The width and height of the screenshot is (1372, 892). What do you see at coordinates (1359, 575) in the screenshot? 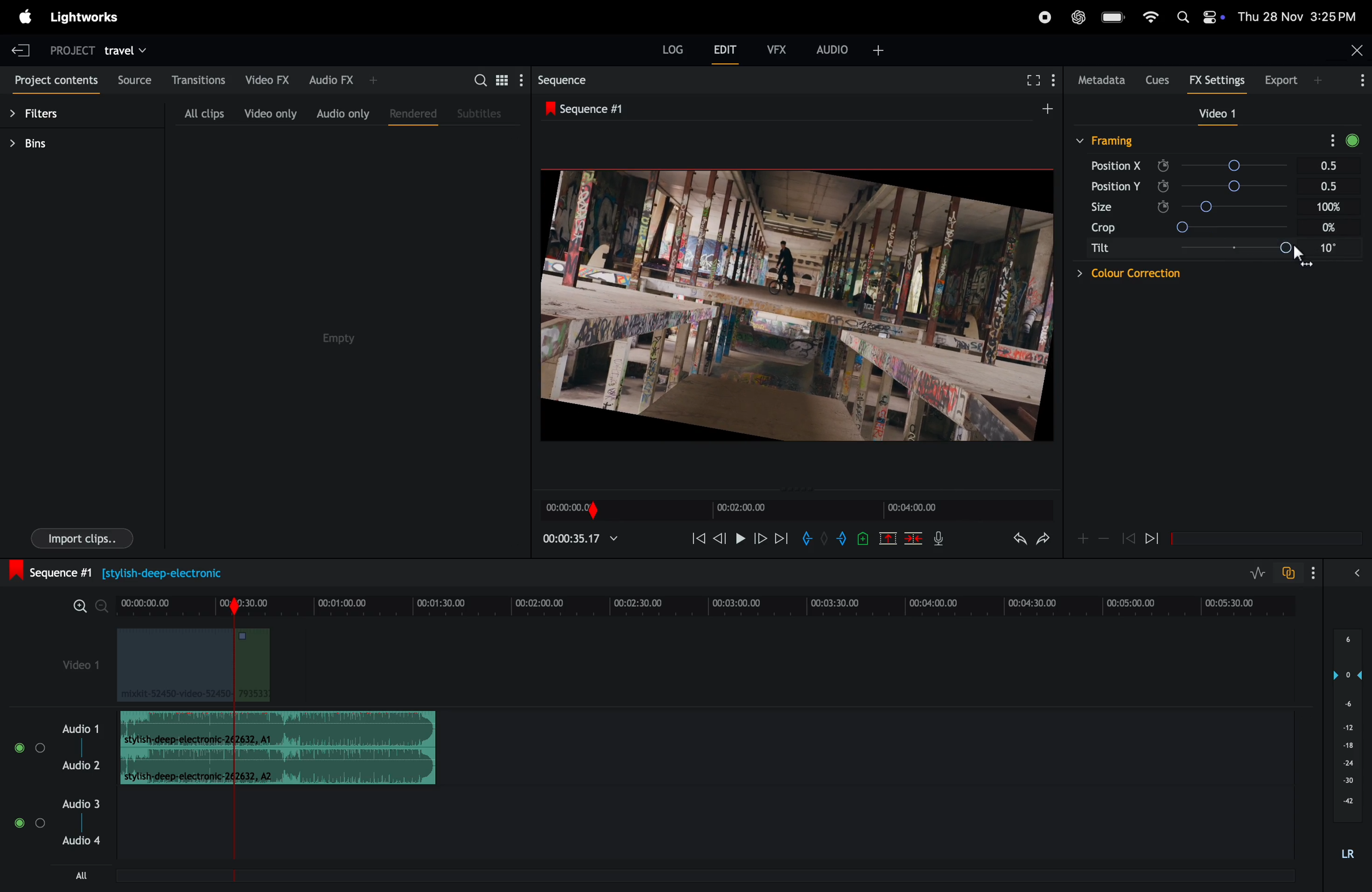
I see `Show/hide full audio mix` at bounding box center [1359, 575].